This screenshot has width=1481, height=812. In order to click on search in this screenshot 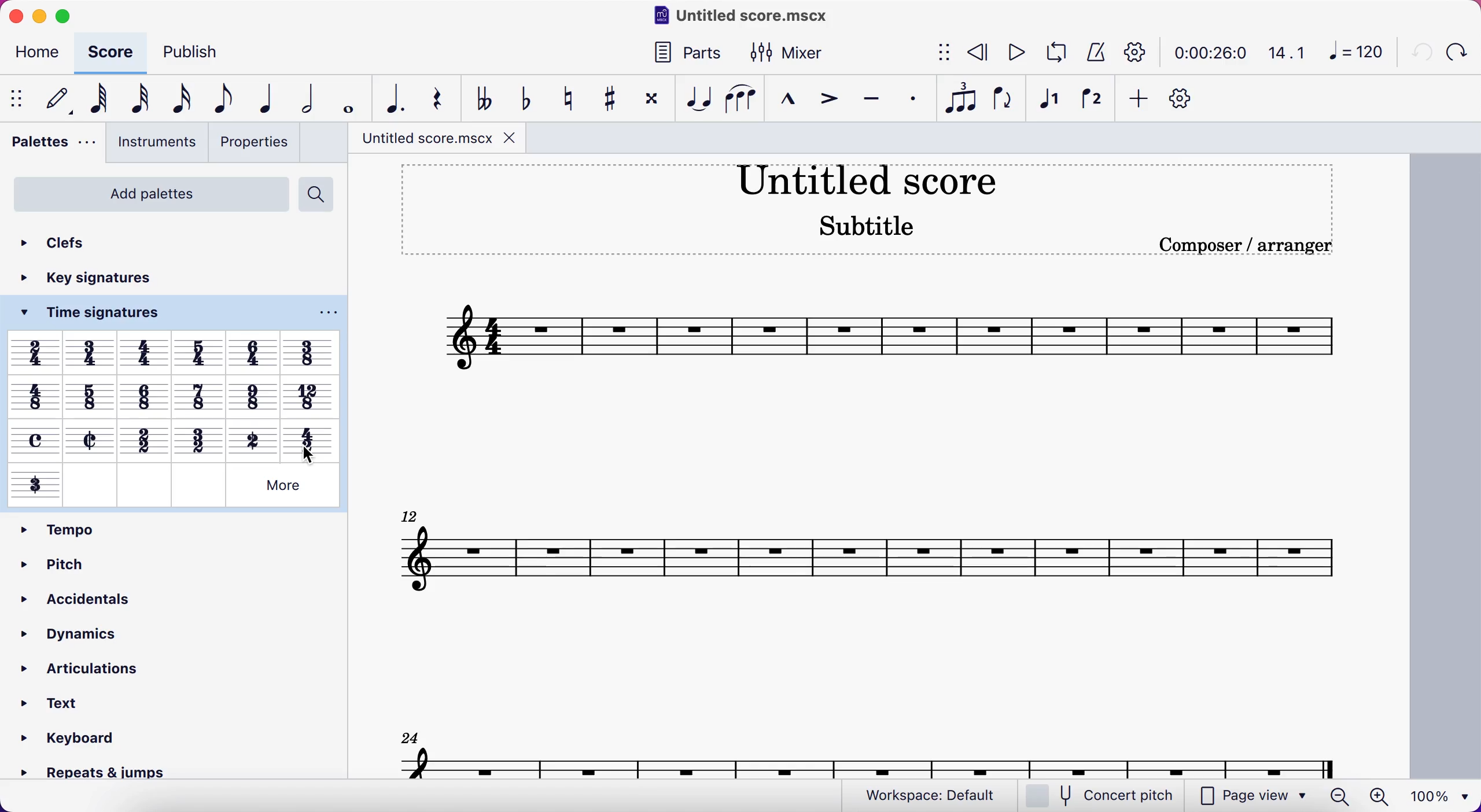, I will do `click(322, 195)`.